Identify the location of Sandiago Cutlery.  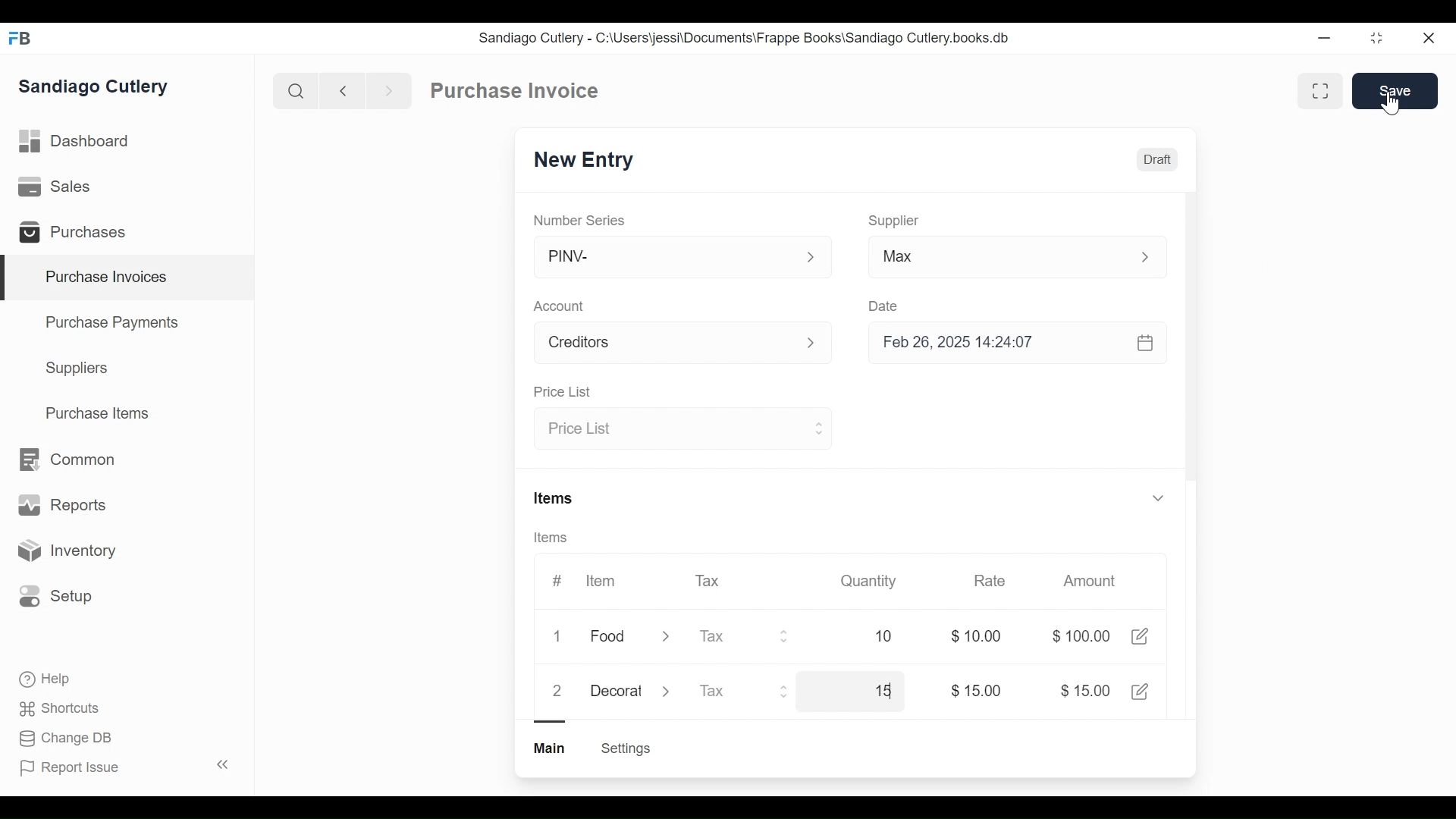
(96, 88).